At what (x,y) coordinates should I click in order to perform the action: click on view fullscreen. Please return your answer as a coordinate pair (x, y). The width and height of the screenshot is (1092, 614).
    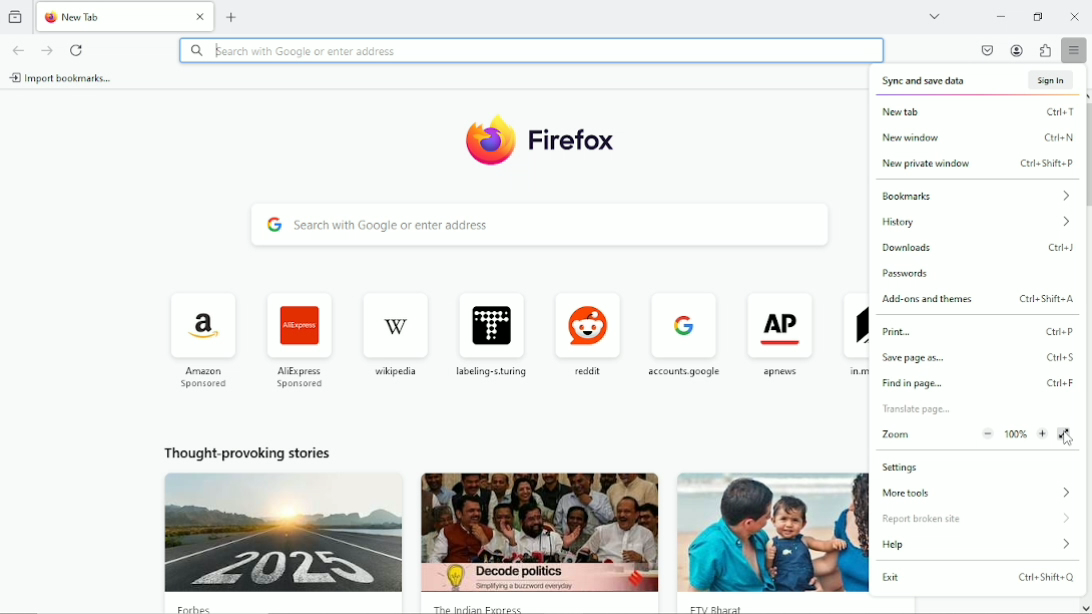
    Looking at the image, I should click on (1066, 434).